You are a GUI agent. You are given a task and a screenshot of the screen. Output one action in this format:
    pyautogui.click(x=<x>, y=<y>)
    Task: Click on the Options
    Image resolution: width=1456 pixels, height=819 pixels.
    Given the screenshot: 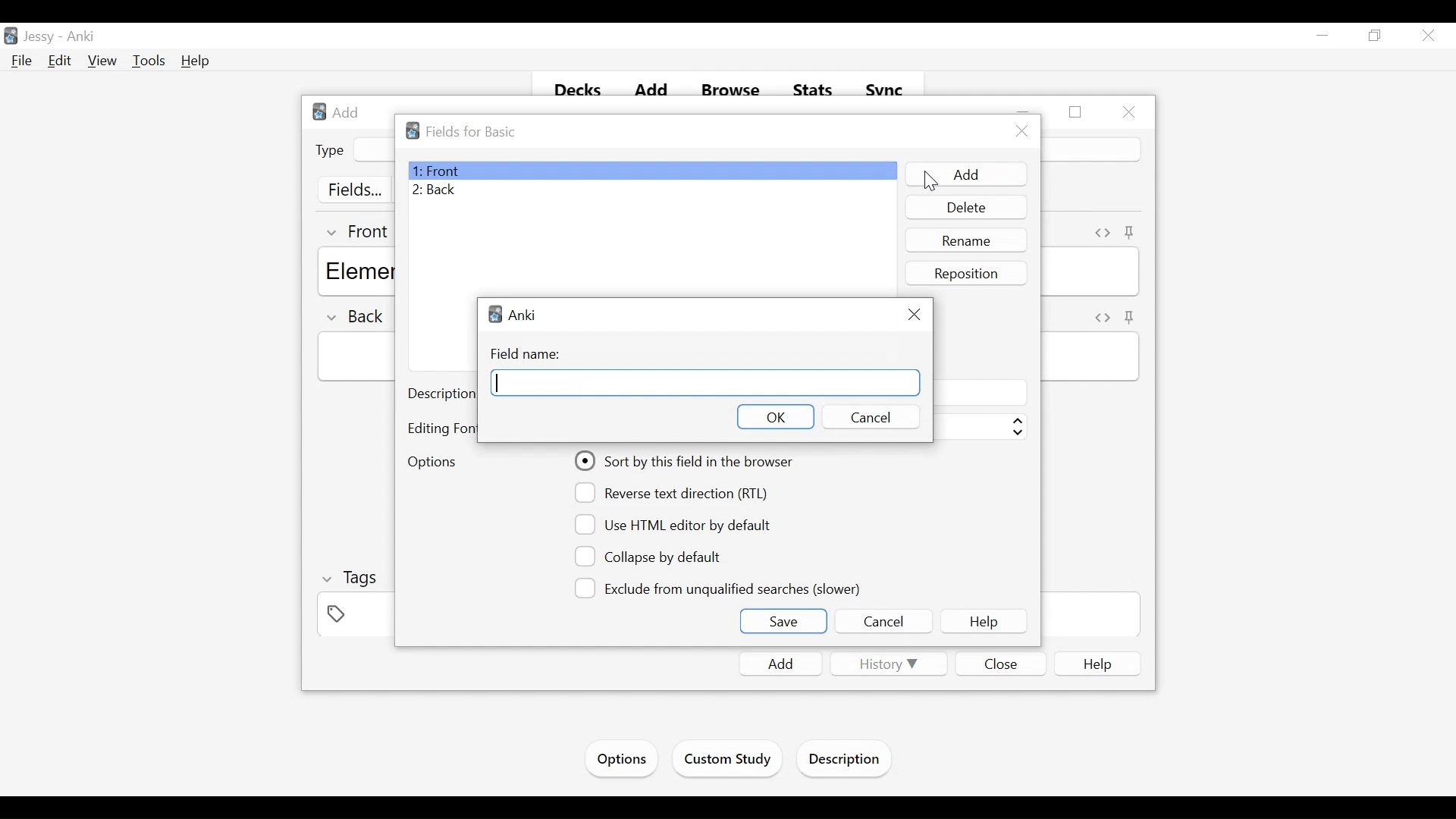 What is the action you would take?
    pyautogui.click(x=620, y=759)
    